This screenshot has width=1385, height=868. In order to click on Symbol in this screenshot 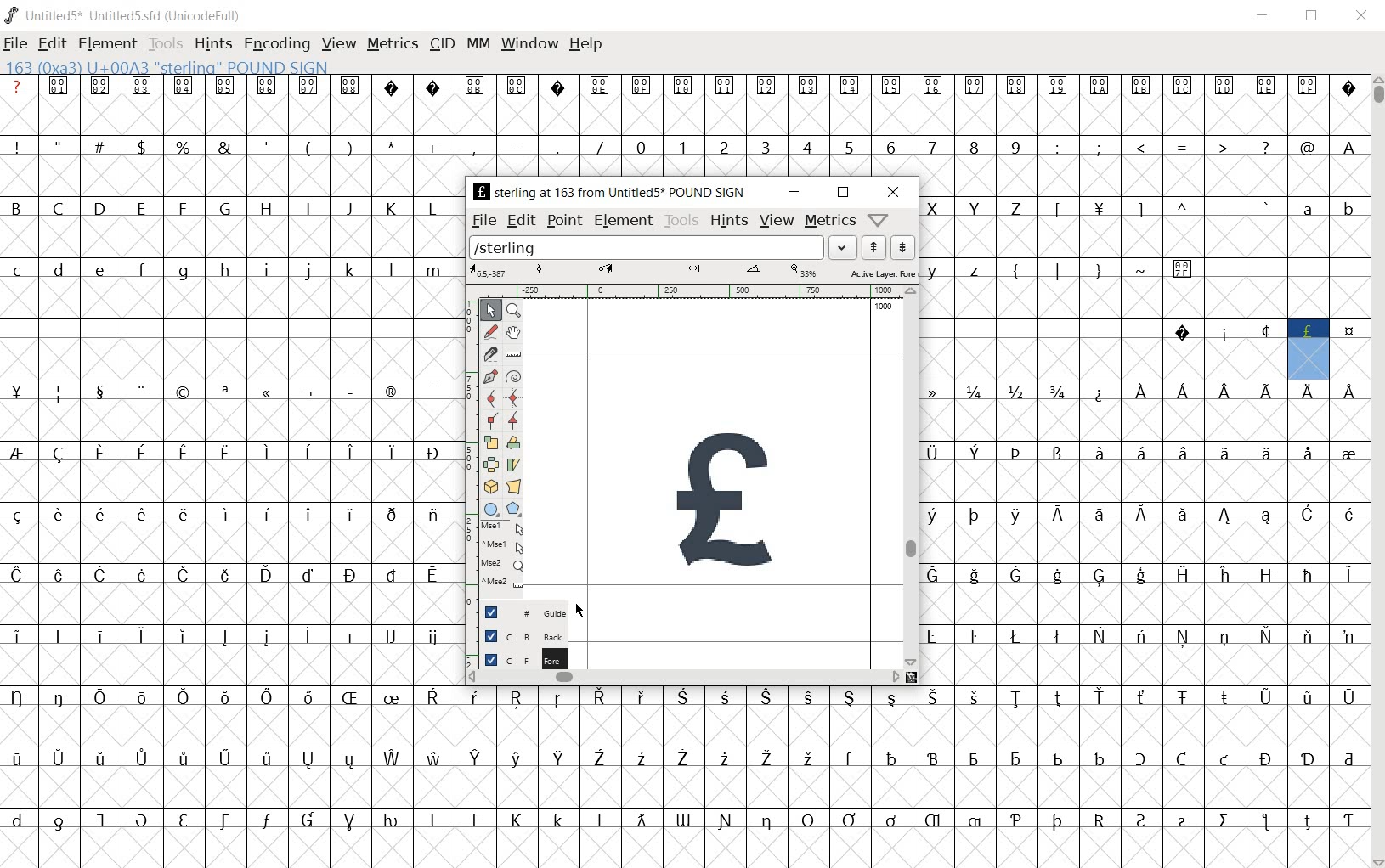, I will do `click(224, 821)`.